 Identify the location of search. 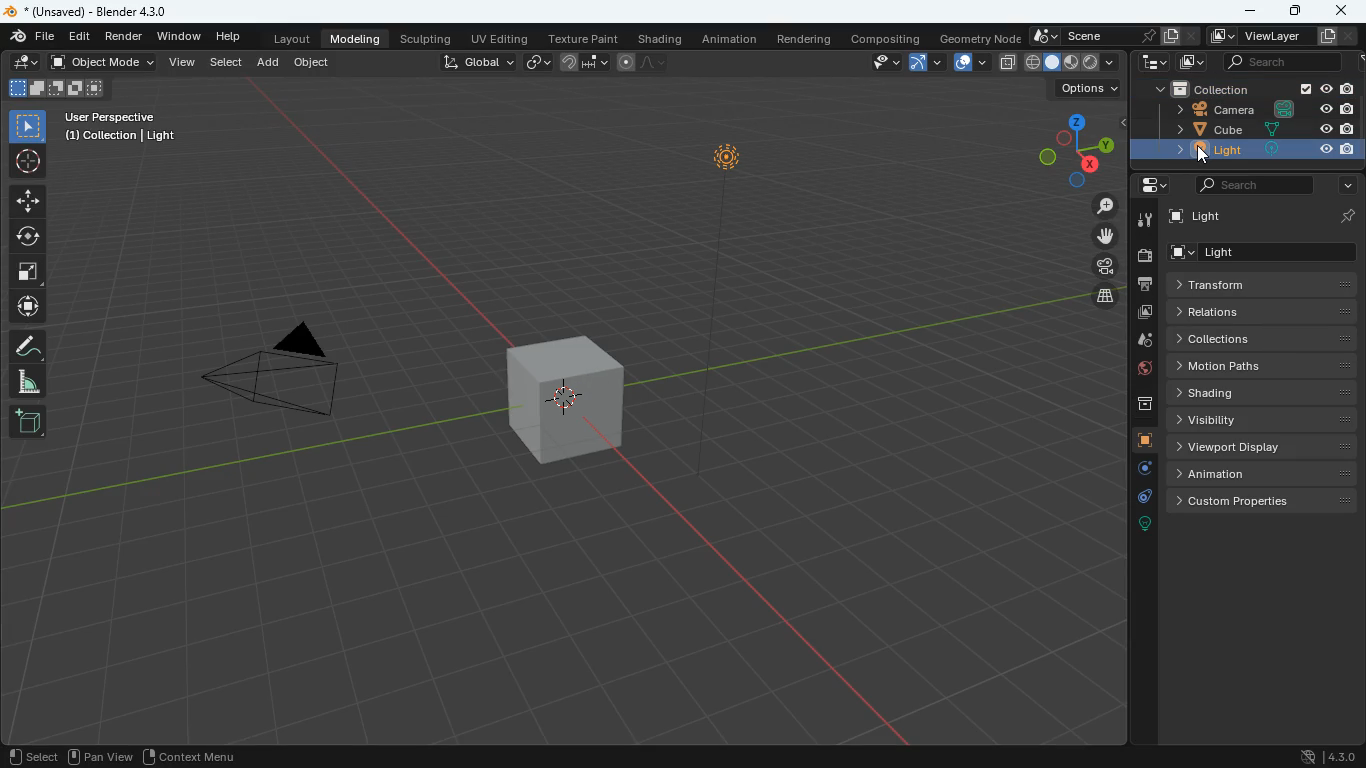
(1283, 61).